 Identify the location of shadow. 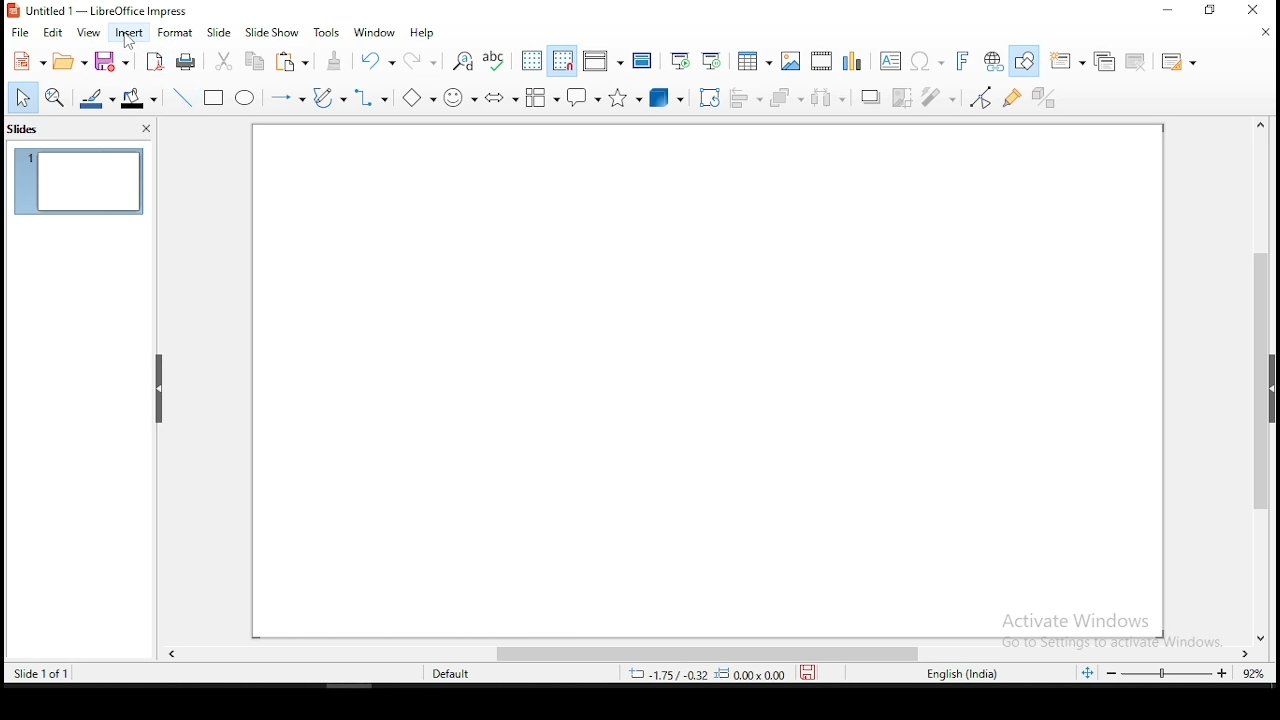
(903, 97).